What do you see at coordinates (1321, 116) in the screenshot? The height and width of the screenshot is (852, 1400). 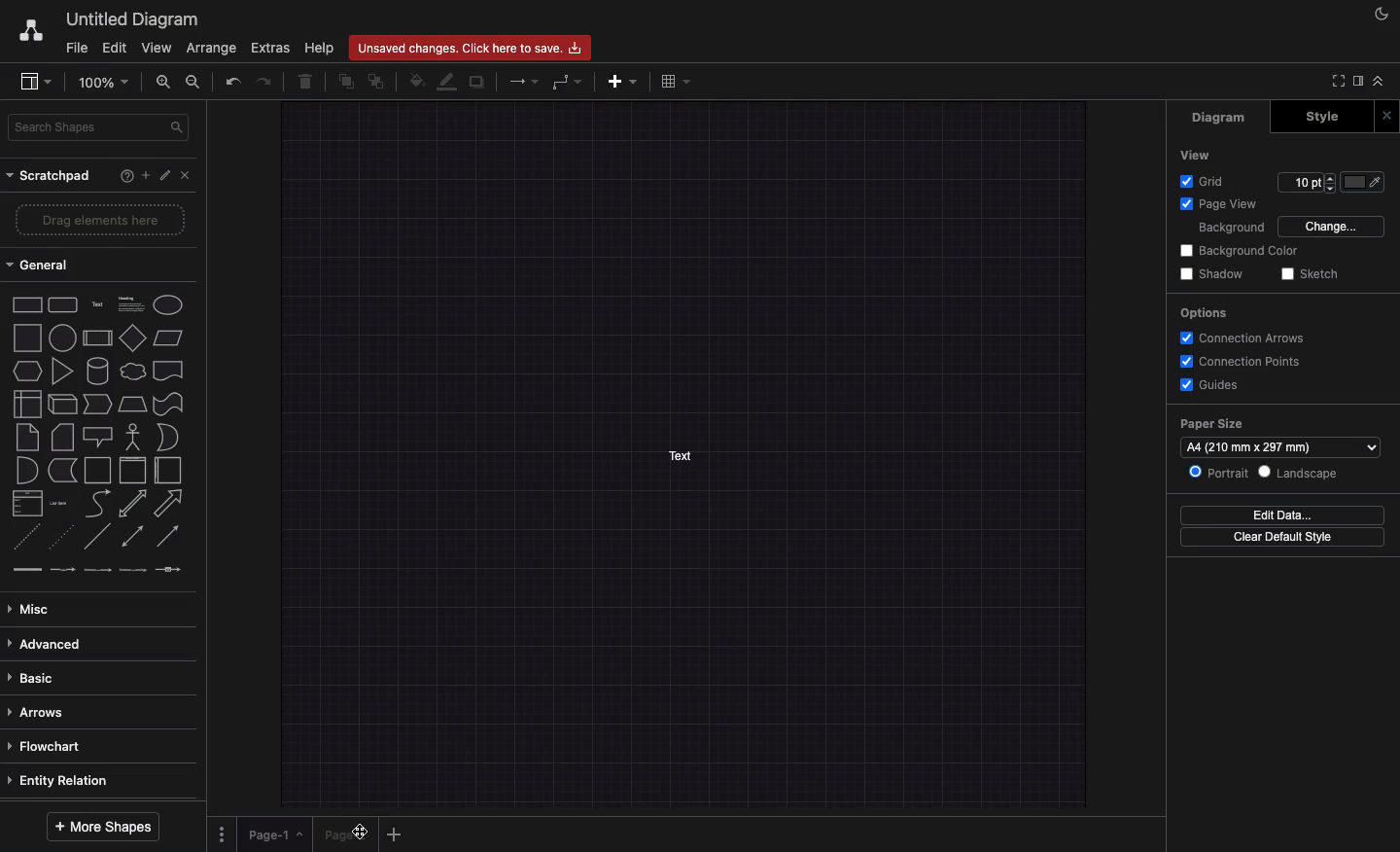 I see `Style` at bounding box center [1321, 116].